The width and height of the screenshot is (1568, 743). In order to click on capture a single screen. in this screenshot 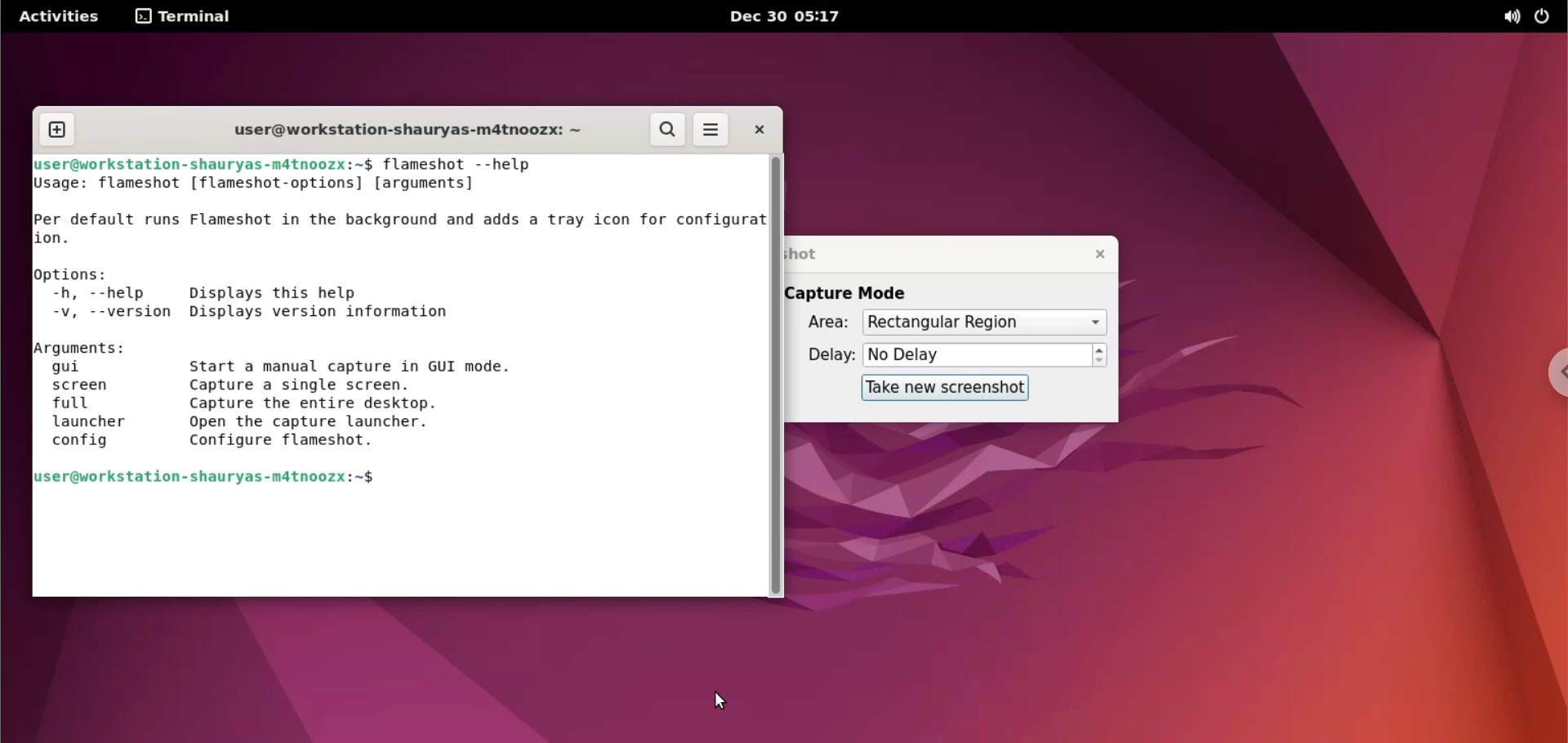, I will do `click(365, 385)`.